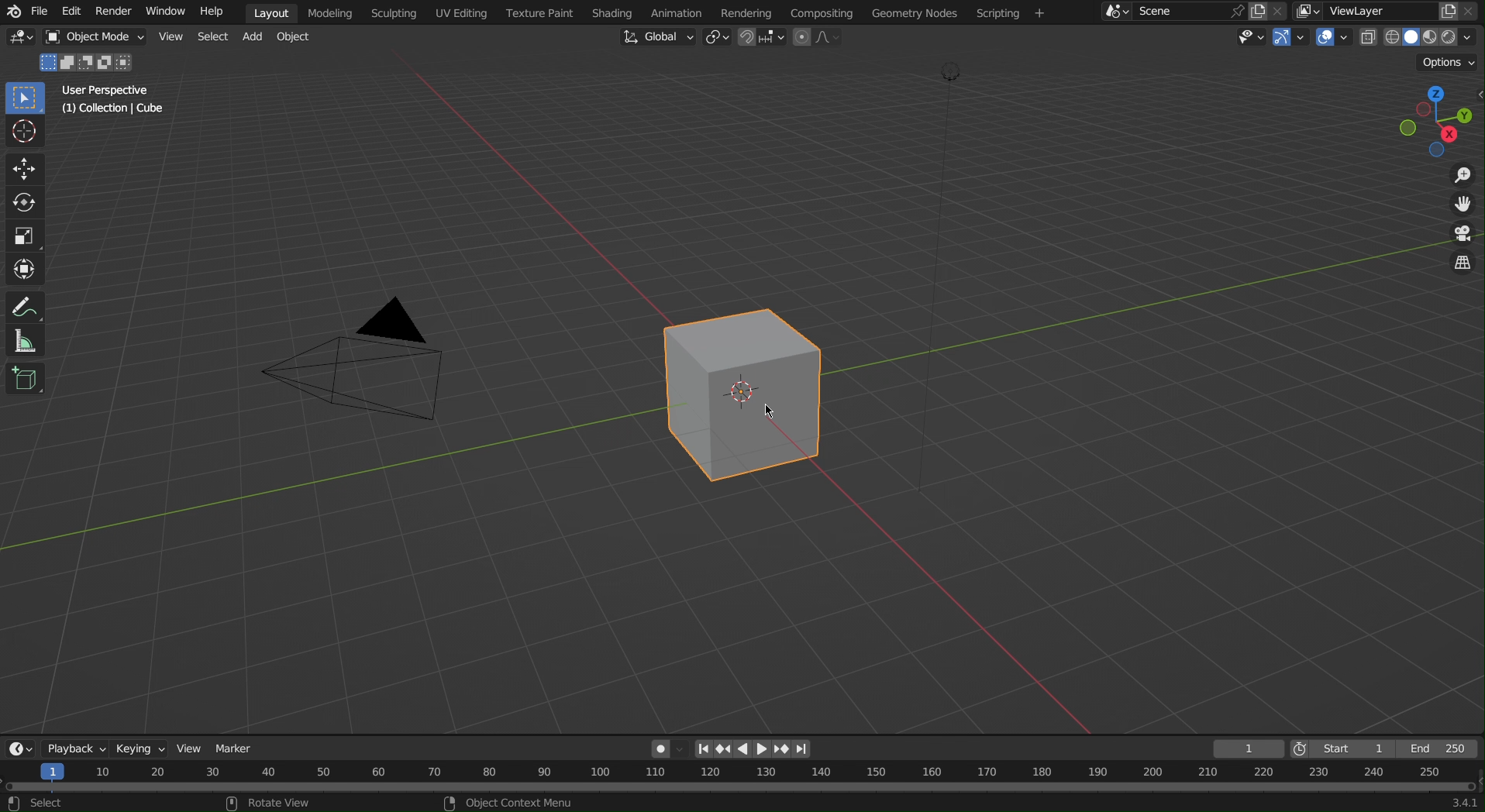 The height and width of the screenshot is (812, 1485). I want to click on More layers, so click(1304, 10).